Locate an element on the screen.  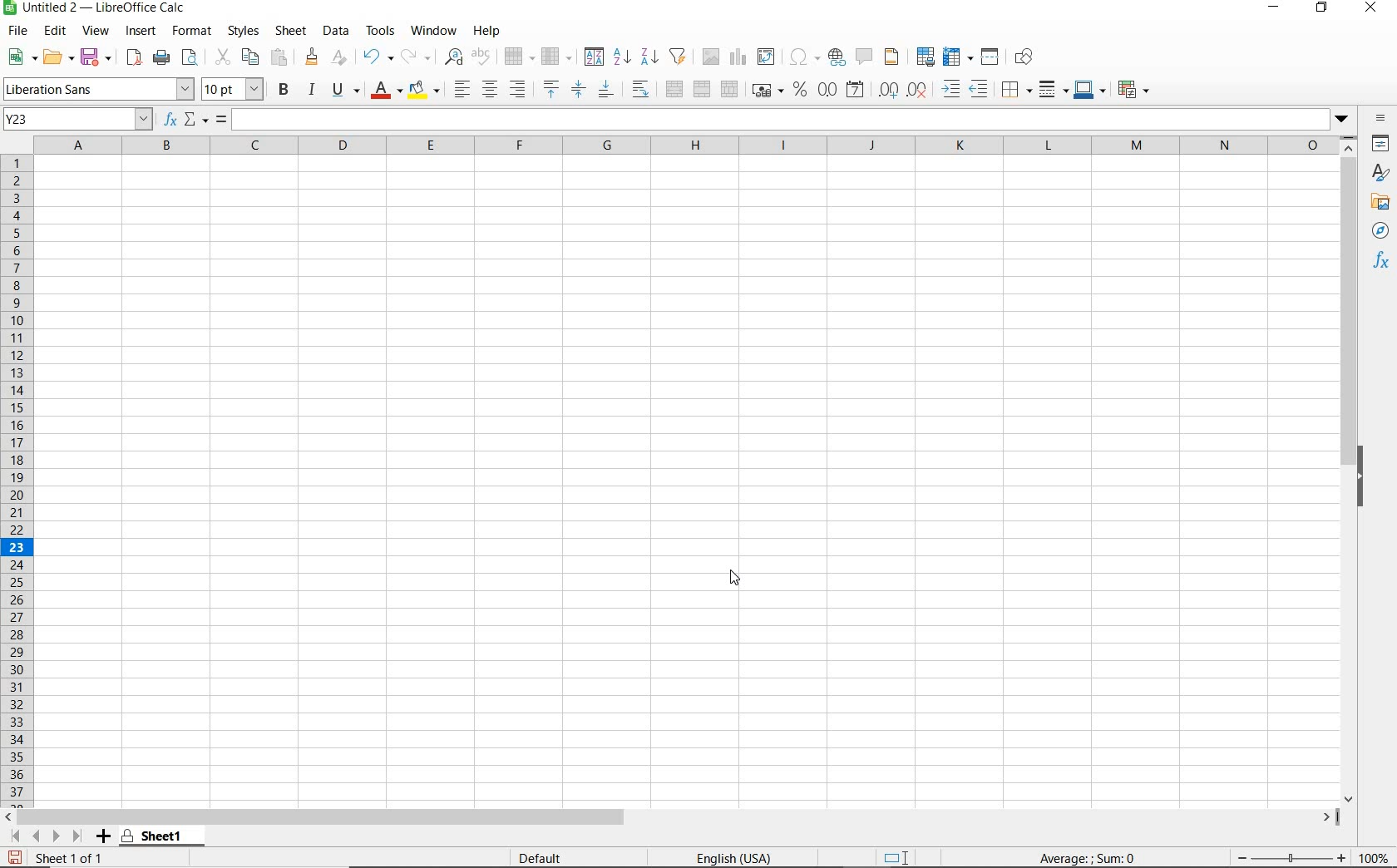
zoom in or zoom out is located at coordinates (1283, 856).